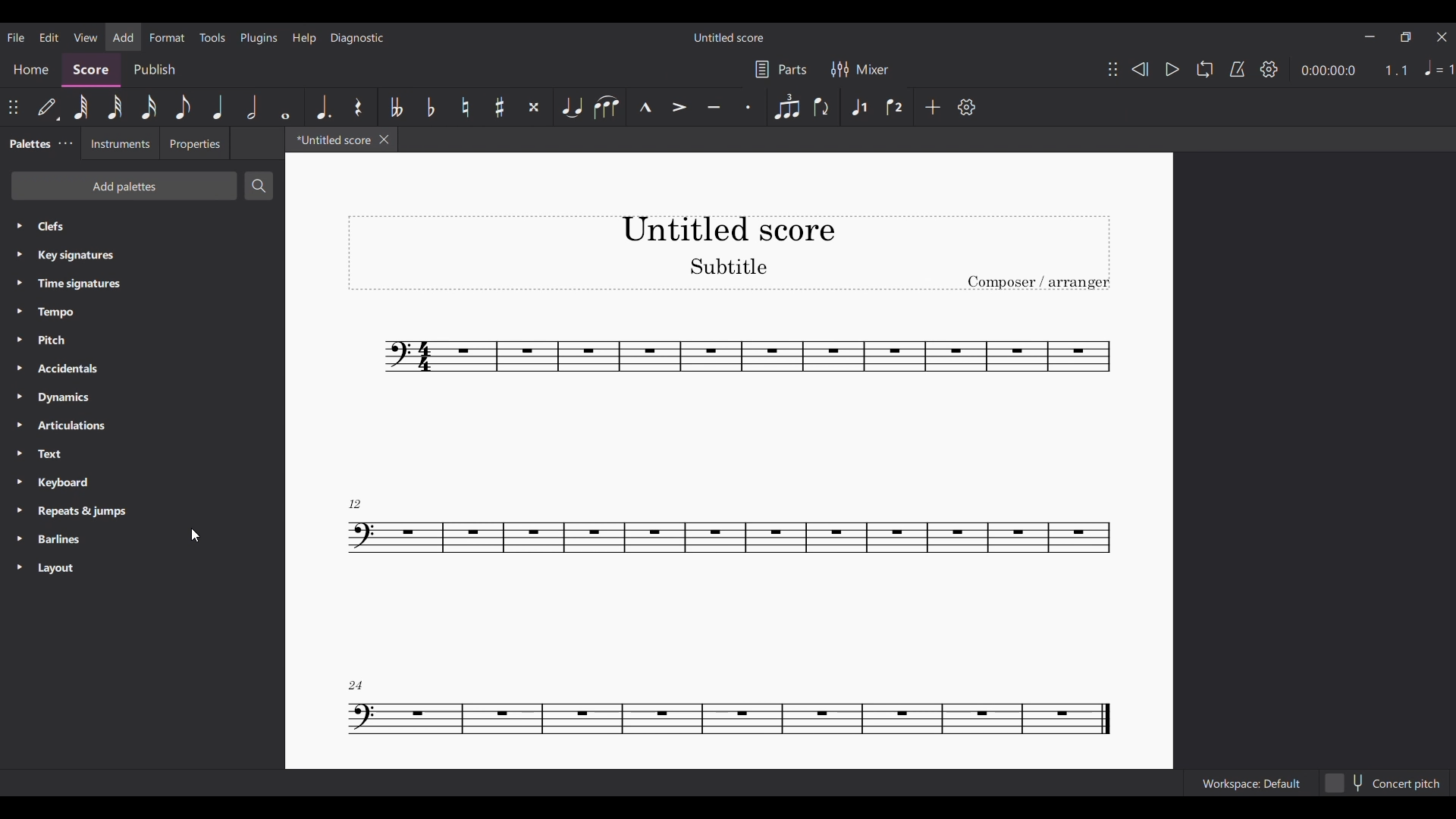 This screenshot has height=819, width=1456. Describe the element at coordinates (96, 513) in the screenshot. I see `Repeats & jumps` at that location.